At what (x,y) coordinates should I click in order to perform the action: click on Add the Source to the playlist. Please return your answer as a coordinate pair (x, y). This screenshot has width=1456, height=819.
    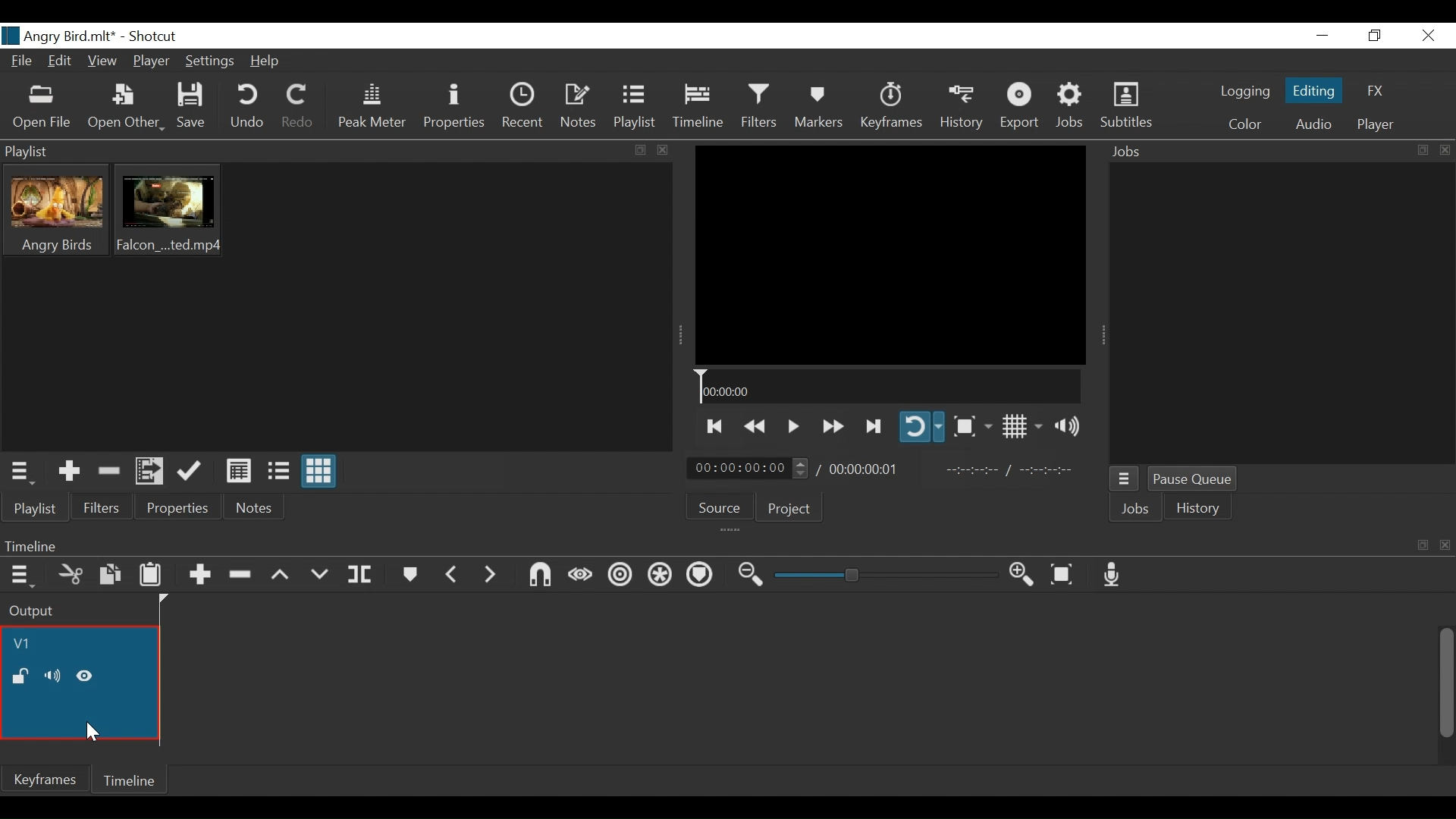
    Looking at the image, I should click on (67, 471).